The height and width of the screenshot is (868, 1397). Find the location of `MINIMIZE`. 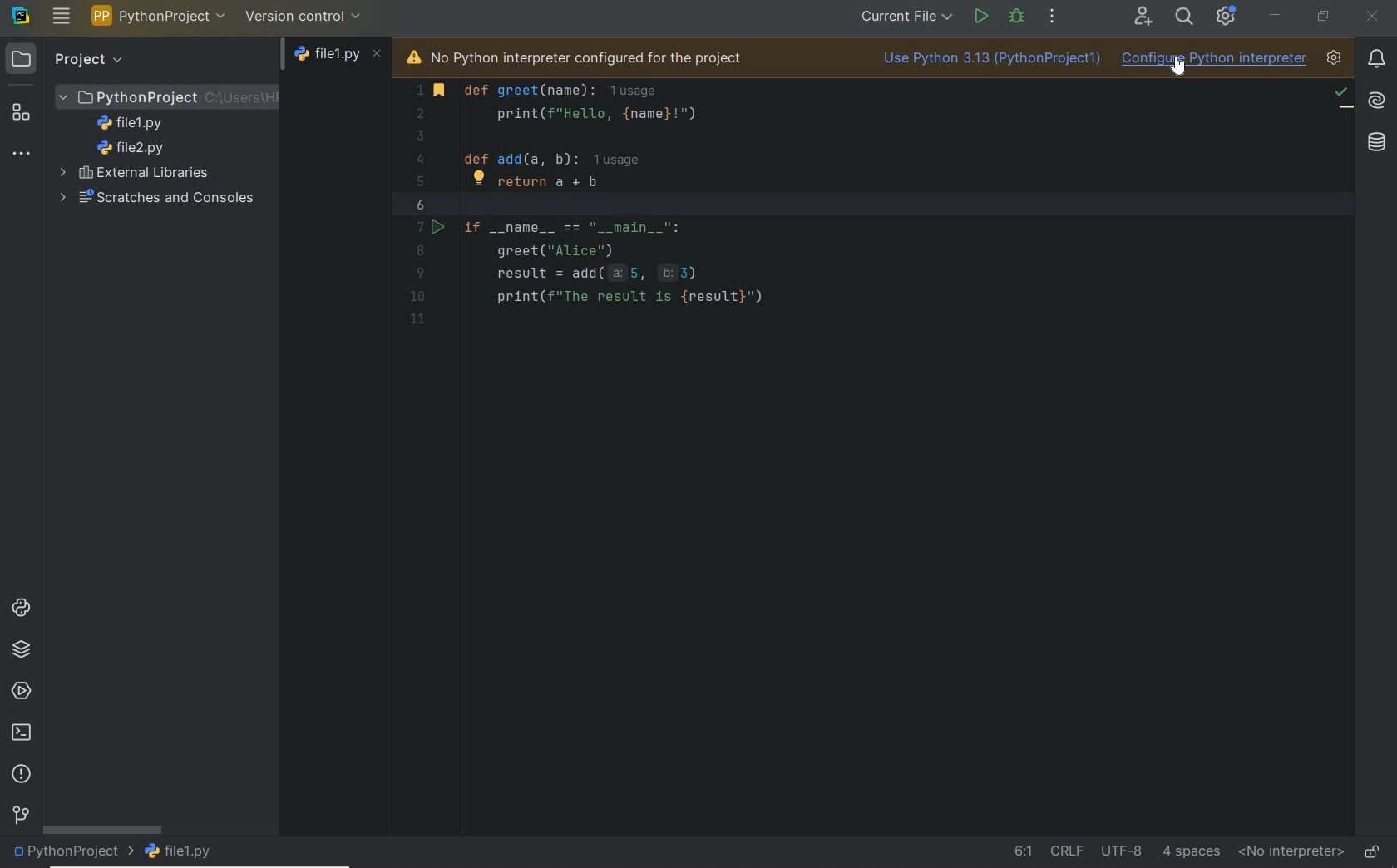

MINIMIZE is located at coordinates (1276, 15).